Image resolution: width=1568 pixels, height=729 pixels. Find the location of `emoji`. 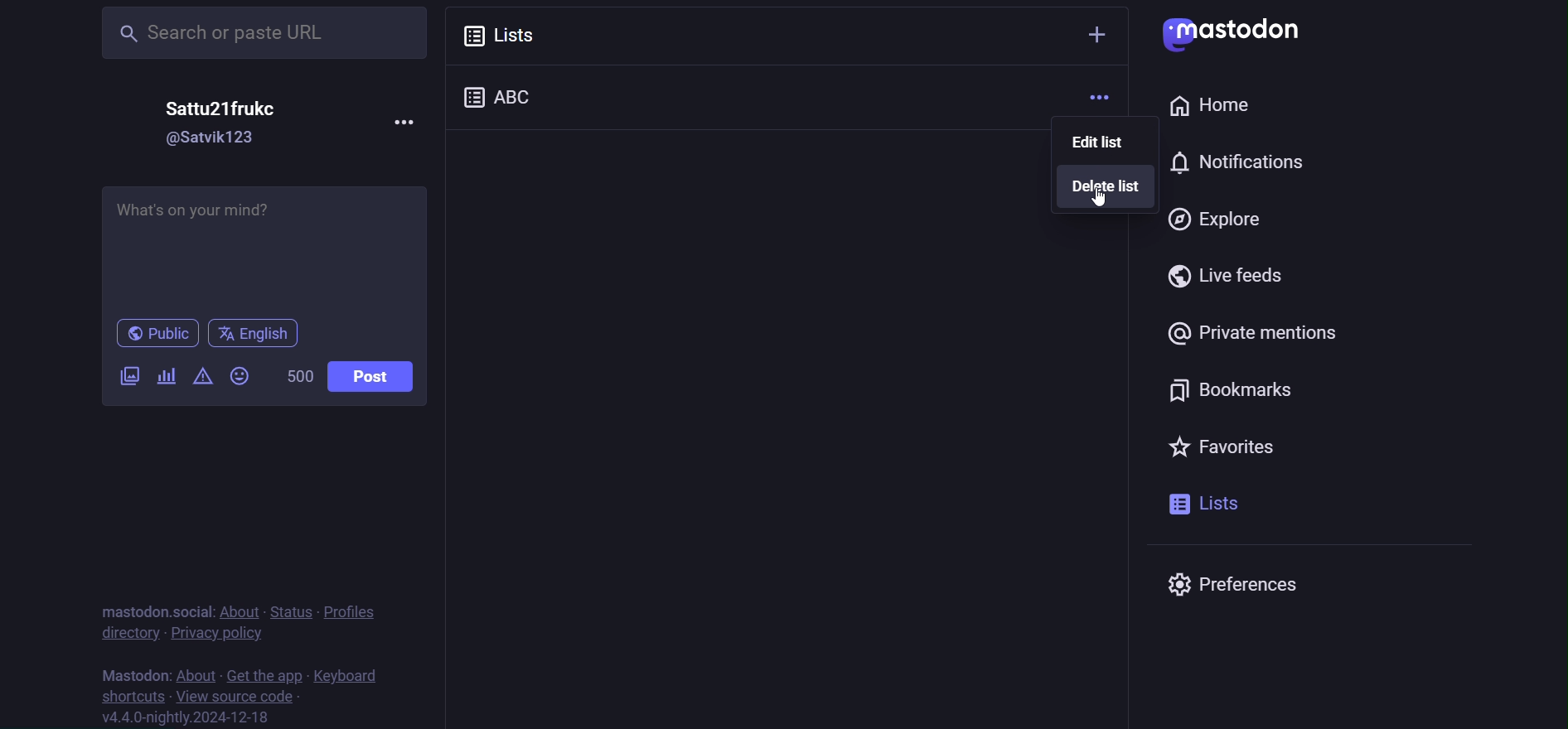

emoji is located at coordinates (240, 374).